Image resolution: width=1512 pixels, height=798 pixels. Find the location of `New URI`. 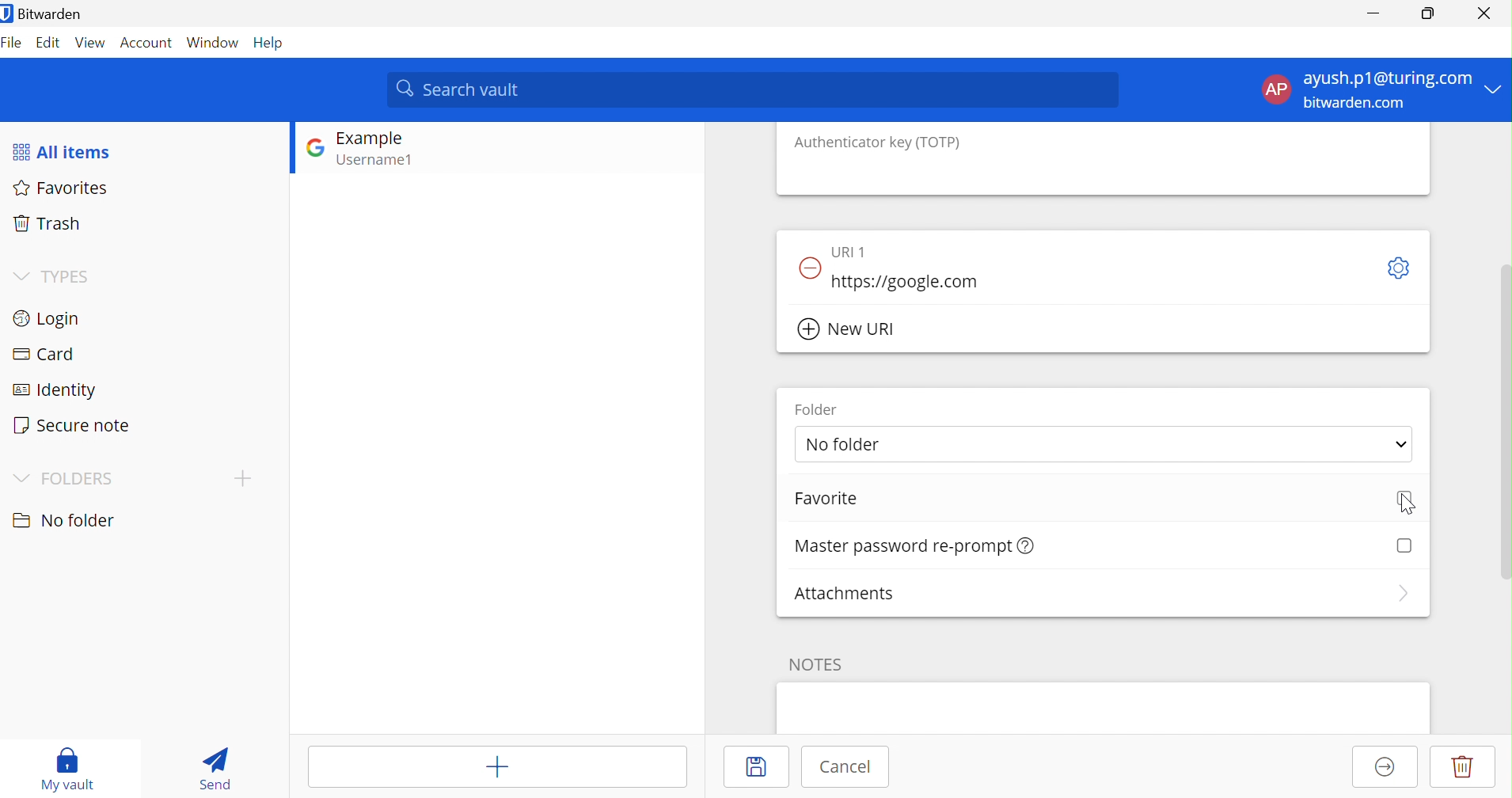

New URI is located at coordinates (851, 330).